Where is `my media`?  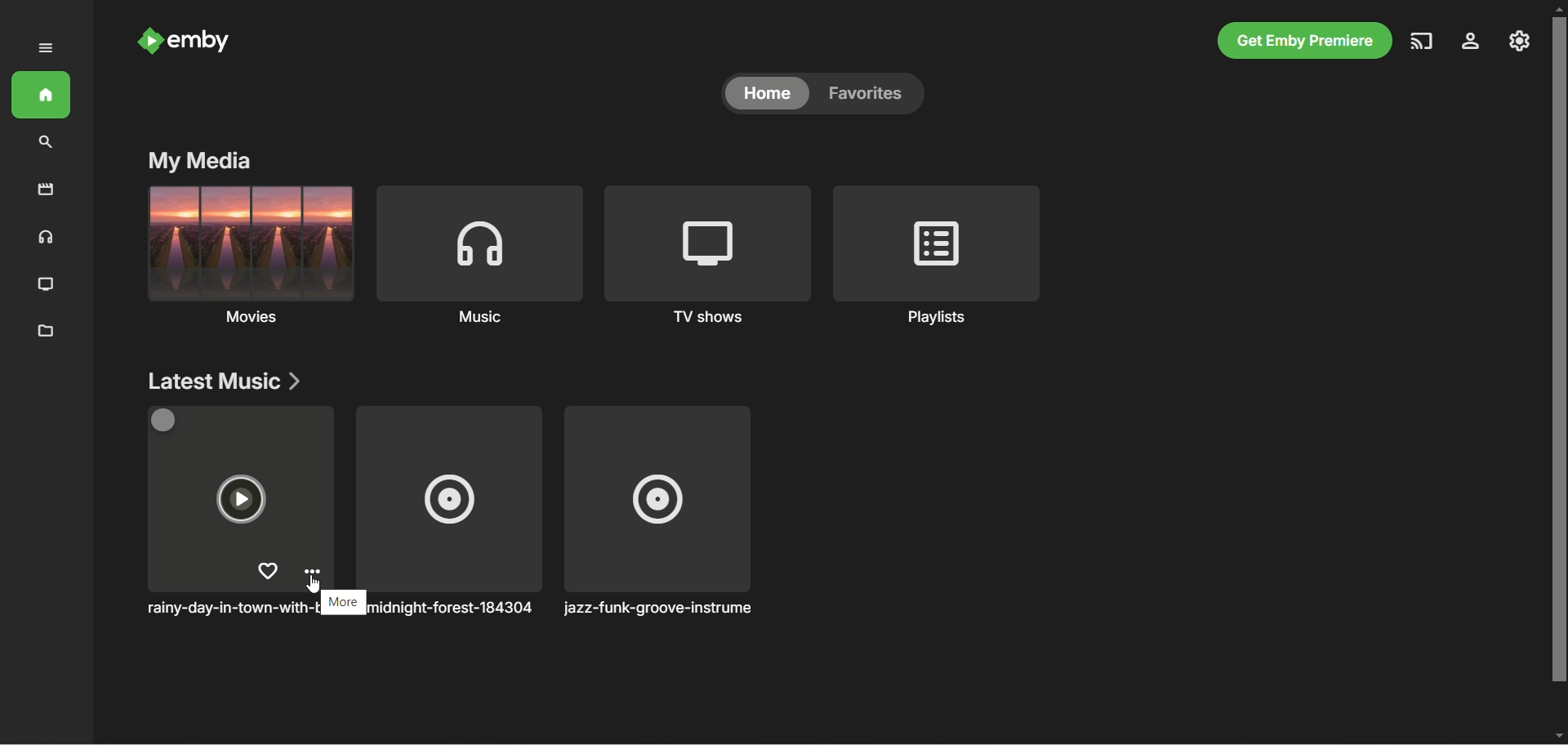 my media is located at coordinates (198, 162).